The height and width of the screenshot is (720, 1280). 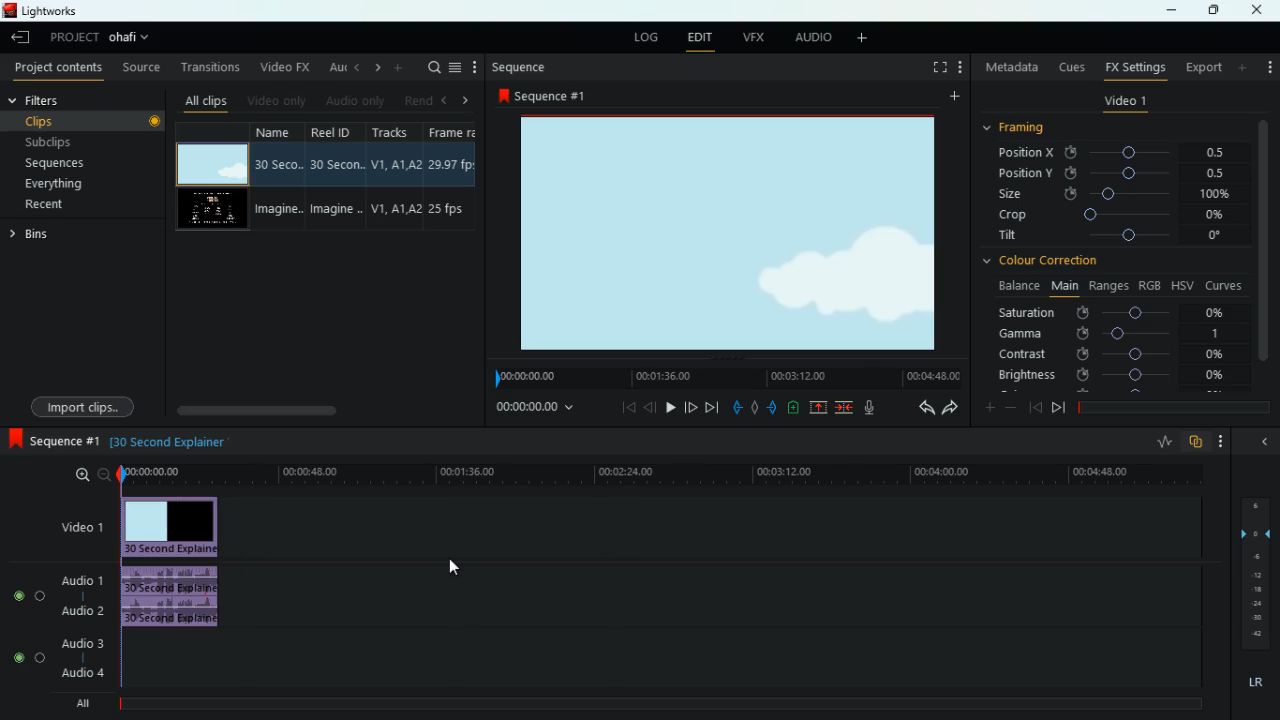 What do you see at coordinates (354, 68) in the screenshot?
I see `left` at bounding box center [354, 68].